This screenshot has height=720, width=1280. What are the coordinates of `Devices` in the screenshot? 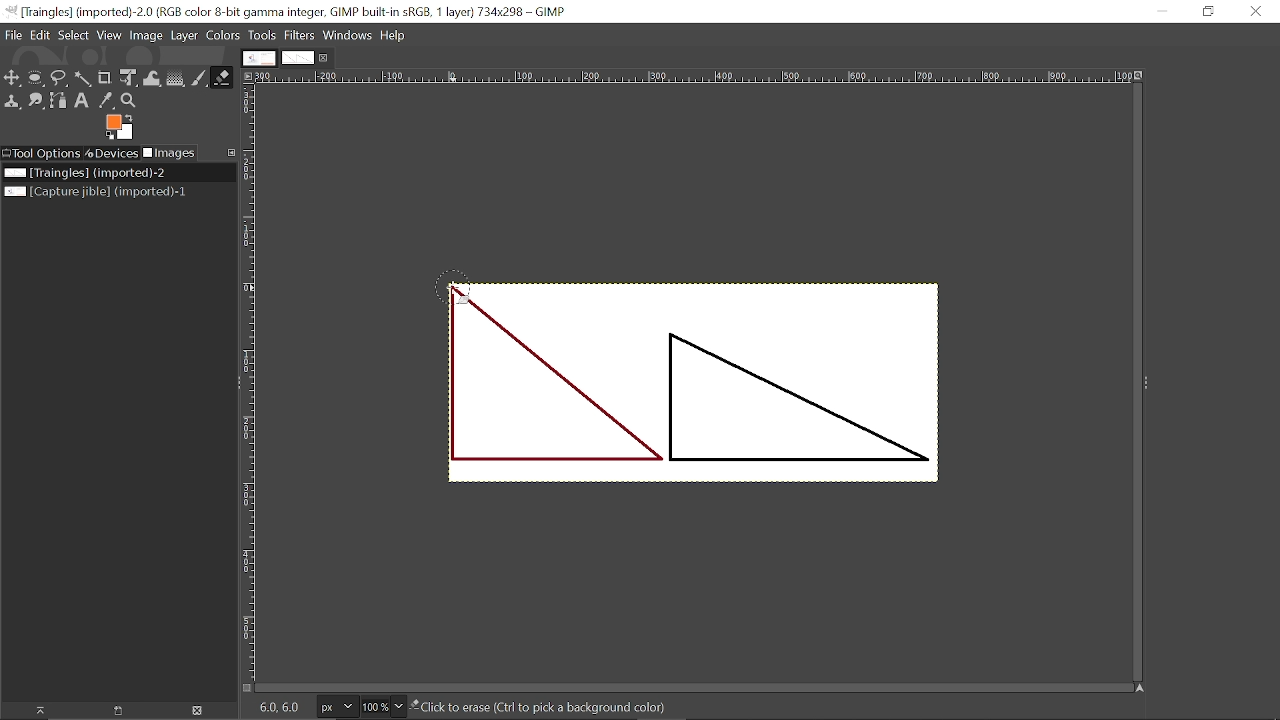 It's located at (111, 153).